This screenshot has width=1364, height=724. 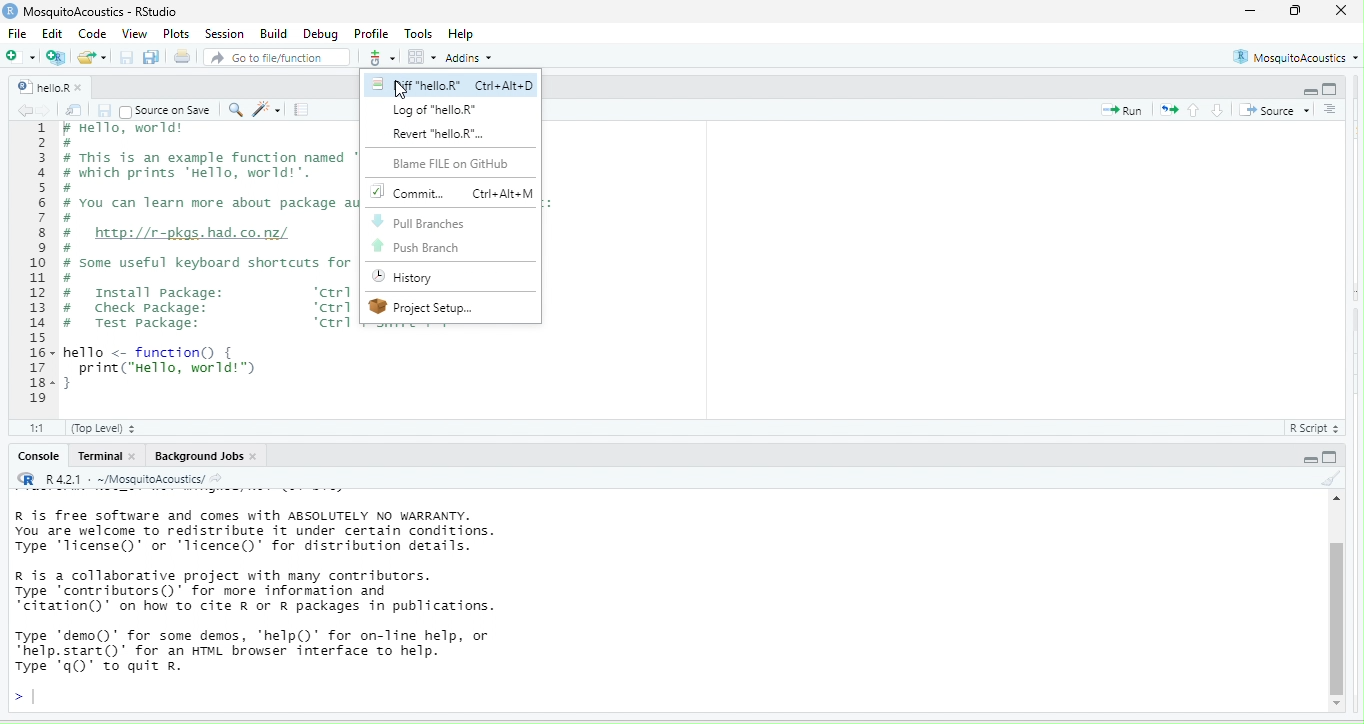 What do you see at coordinates (210, 254) in the screenshot?
I see `r Hello, worid®
#
# This is an example function named "hello"
# which prints "Hello, world! ".
#
# You can learn more about package authoring with Rstudio at:
#
#  http://r-pkgs.had.co.nz/
#
# some useful keyboard shortcuts for package authoring:
#
# Install package: ‘ctrl + shift + 8°
# Check package: ‘ctrl + shift +
# Test package: ‘ctrl + shift + T°
hello <- function {
print("Hello, world!™)
}` at bounding box center [210, 254].